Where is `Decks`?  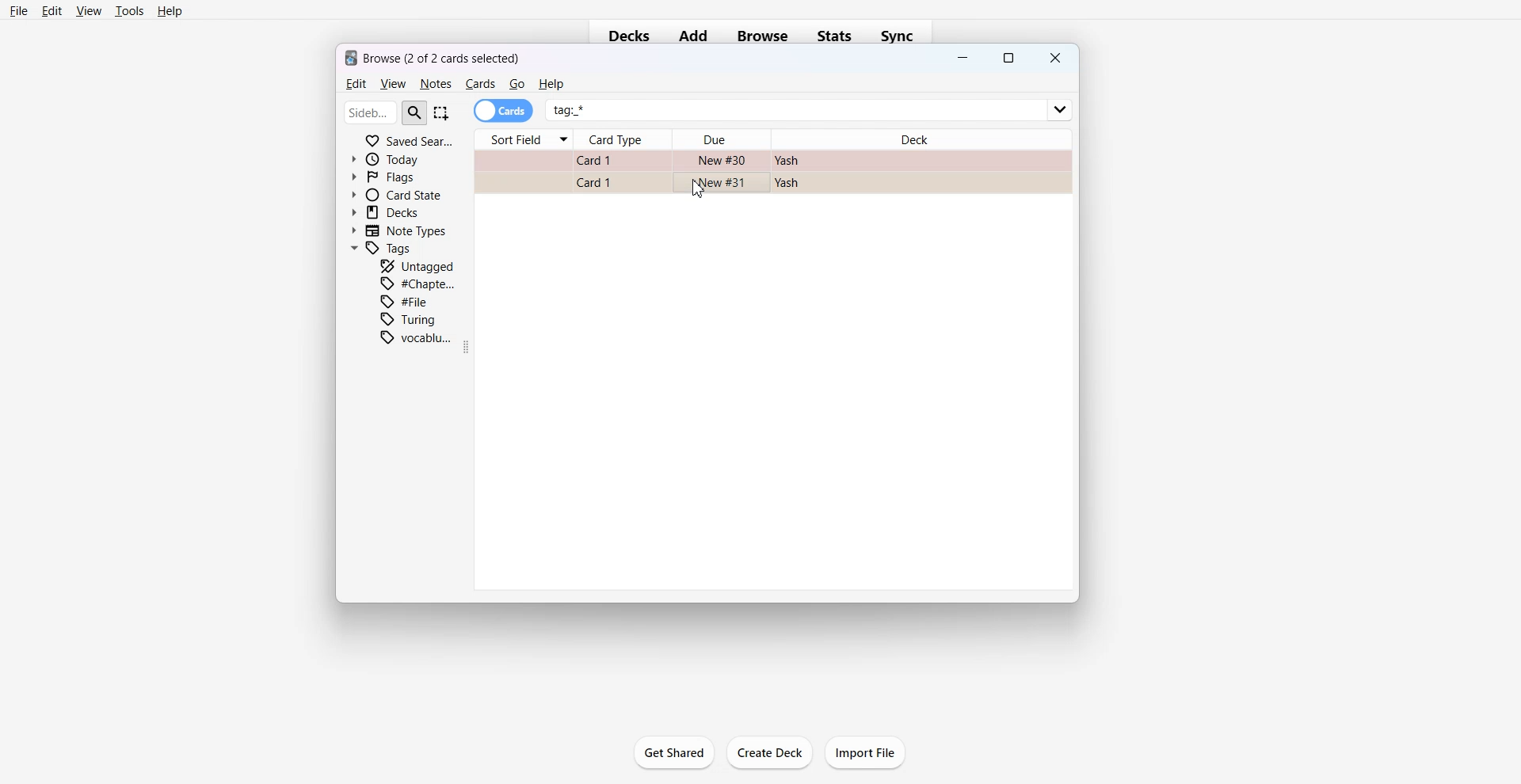
Decks is located at coordinates (387, 212).